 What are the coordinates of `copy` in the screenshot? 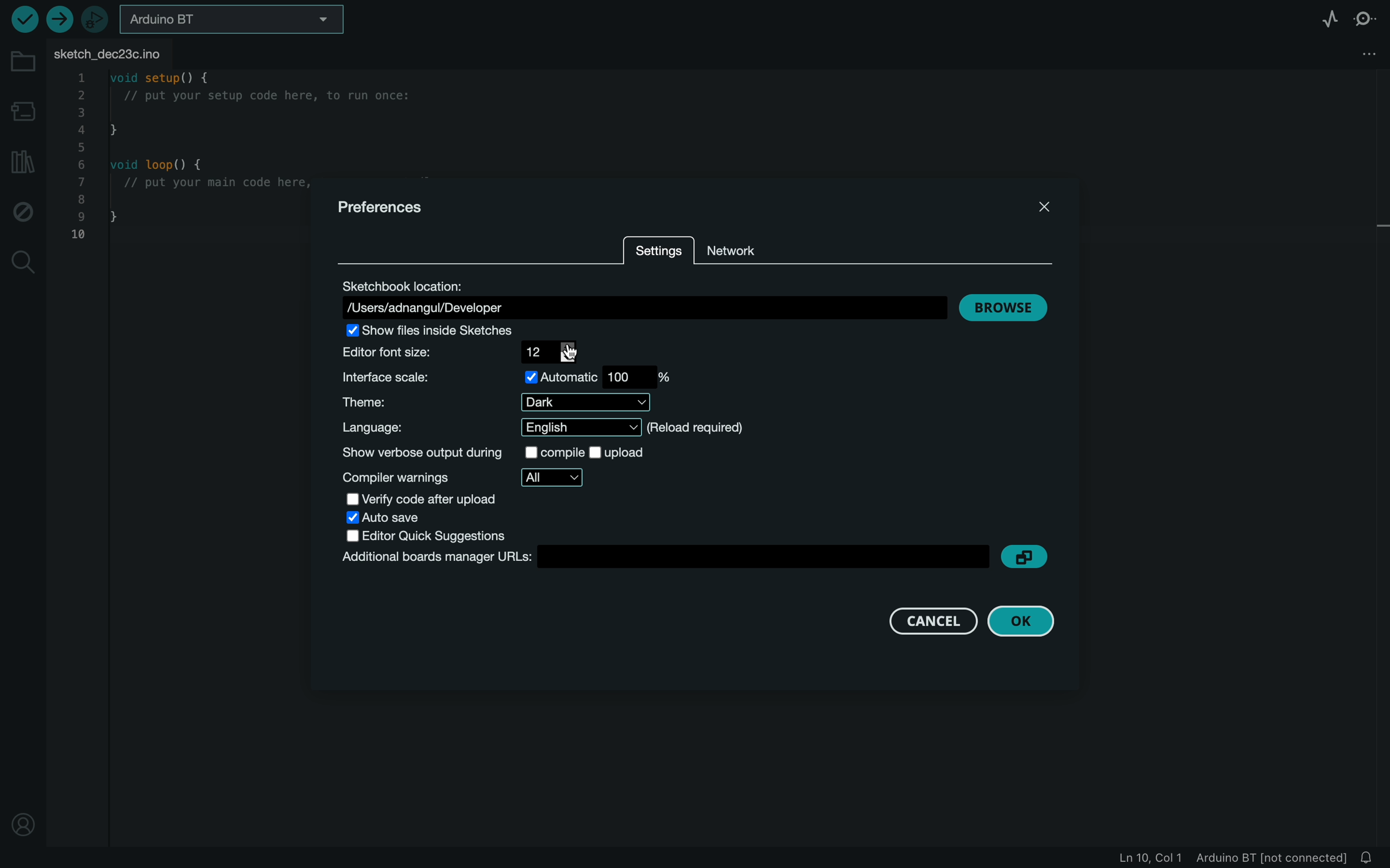 It's located at (1029, 555).